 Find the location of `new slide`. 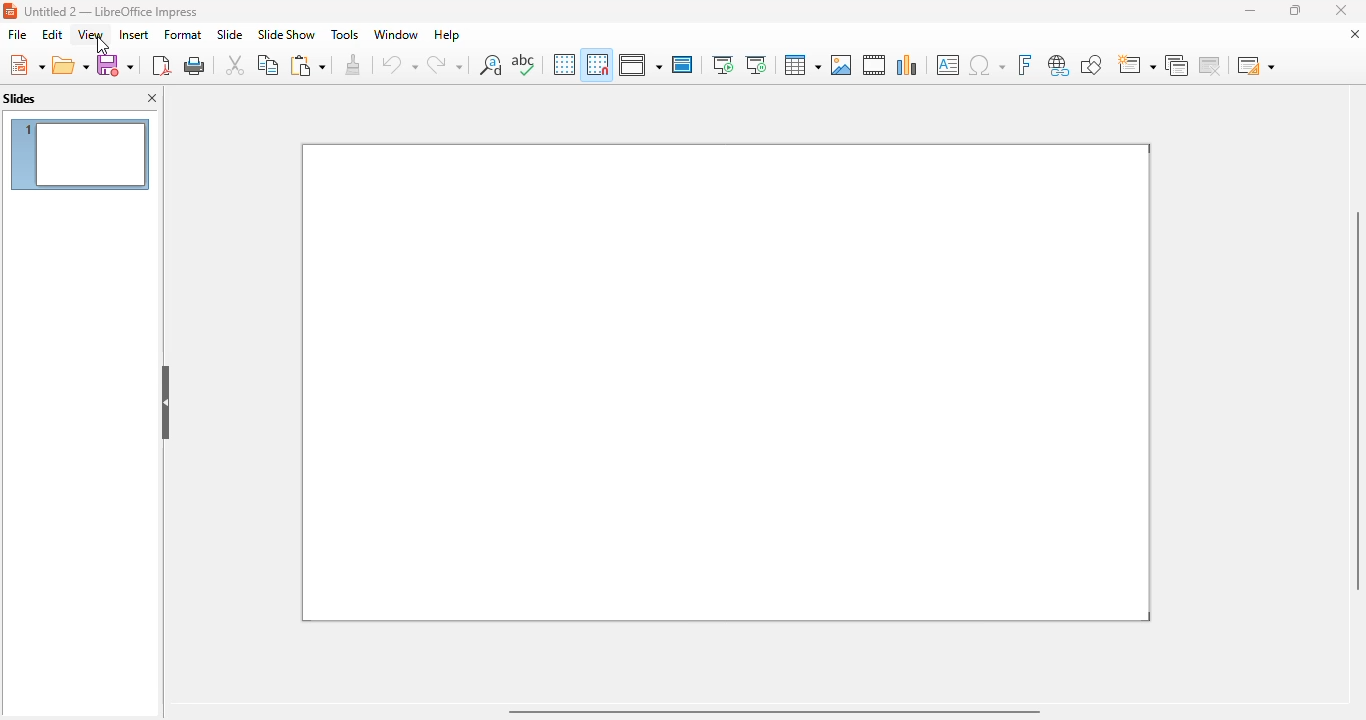

new slide is located at coordinates (1136, 63).